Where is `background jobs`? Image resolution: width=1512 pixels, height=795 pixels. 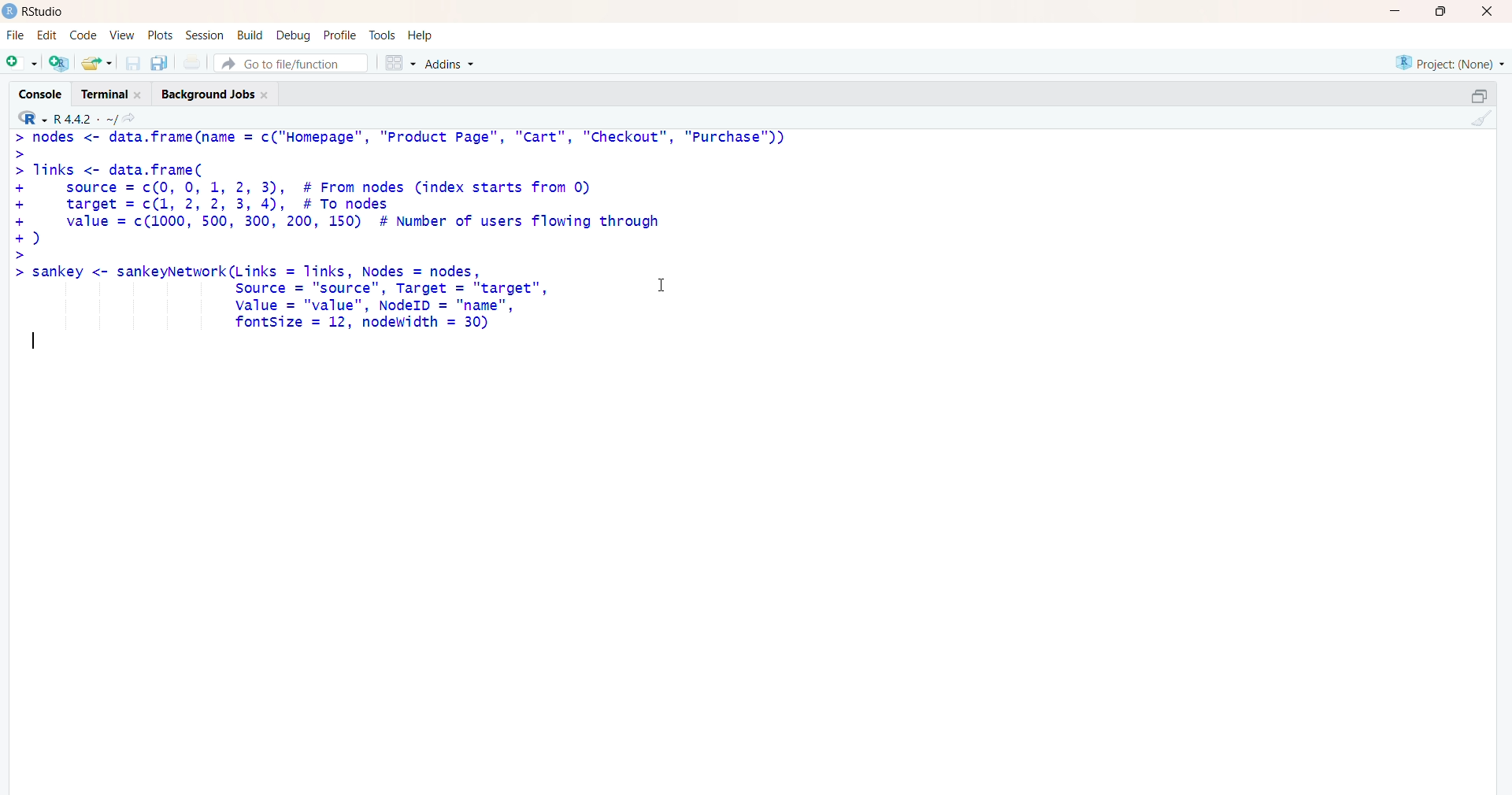
background jobs is located at coordinates (219, 96).